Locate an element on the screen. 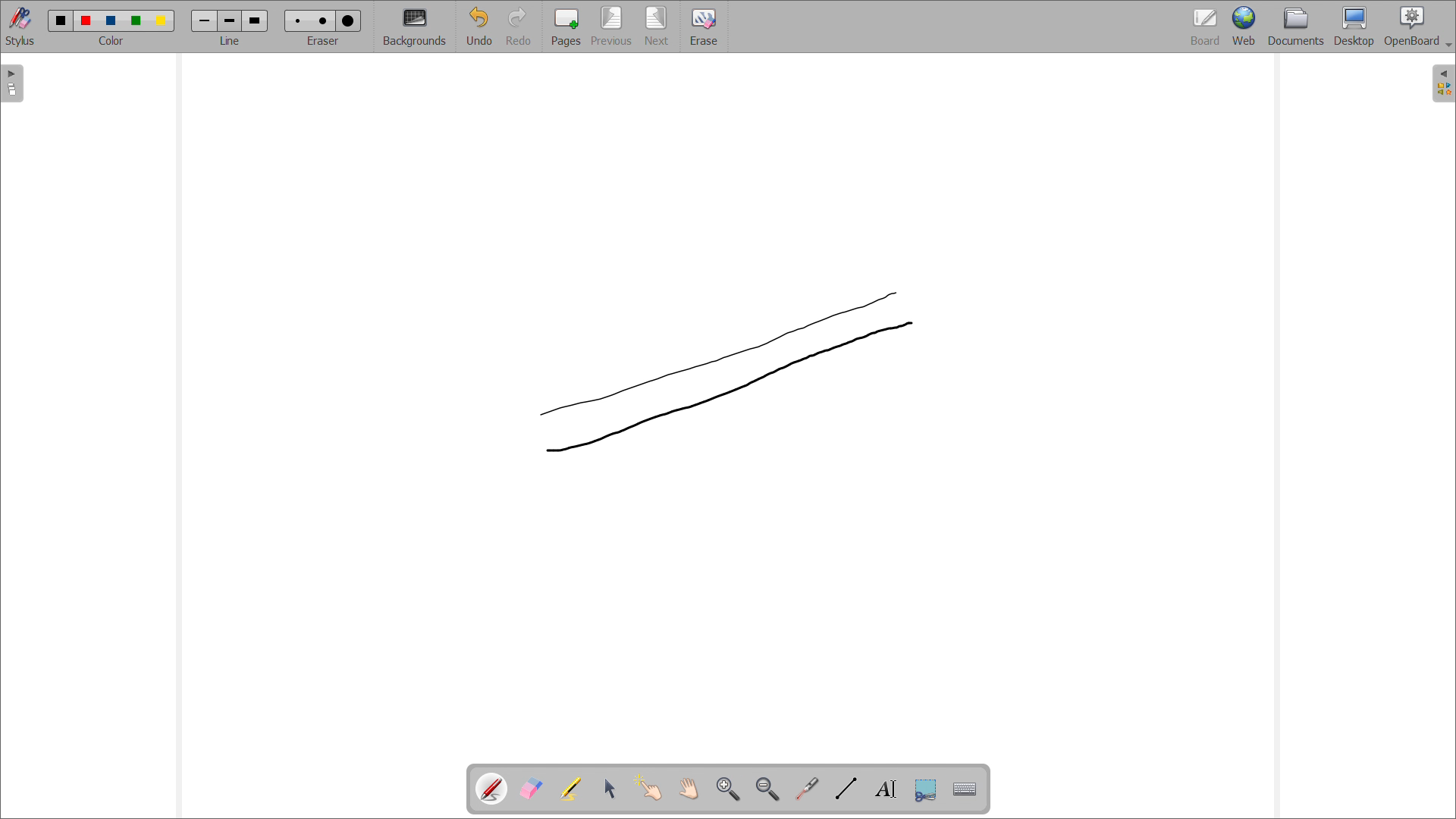 This screenshot has height=819, width=1456. erase annotations is located at coordinates (532, 789).